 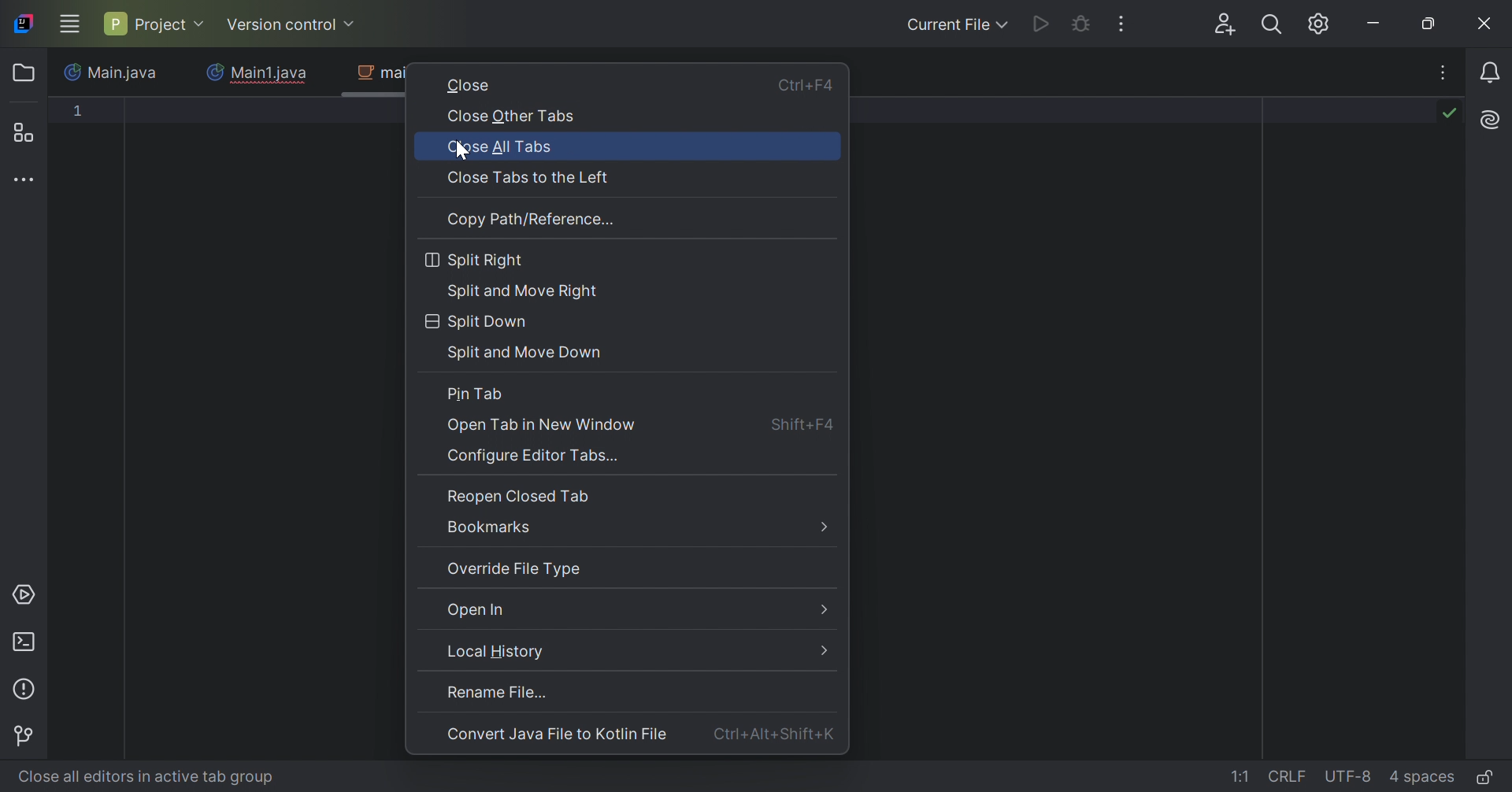 What do you see at coordinates (1481, 779) in the screenshot?
I see `Make file read-only` at bounding box center [1481, 779].